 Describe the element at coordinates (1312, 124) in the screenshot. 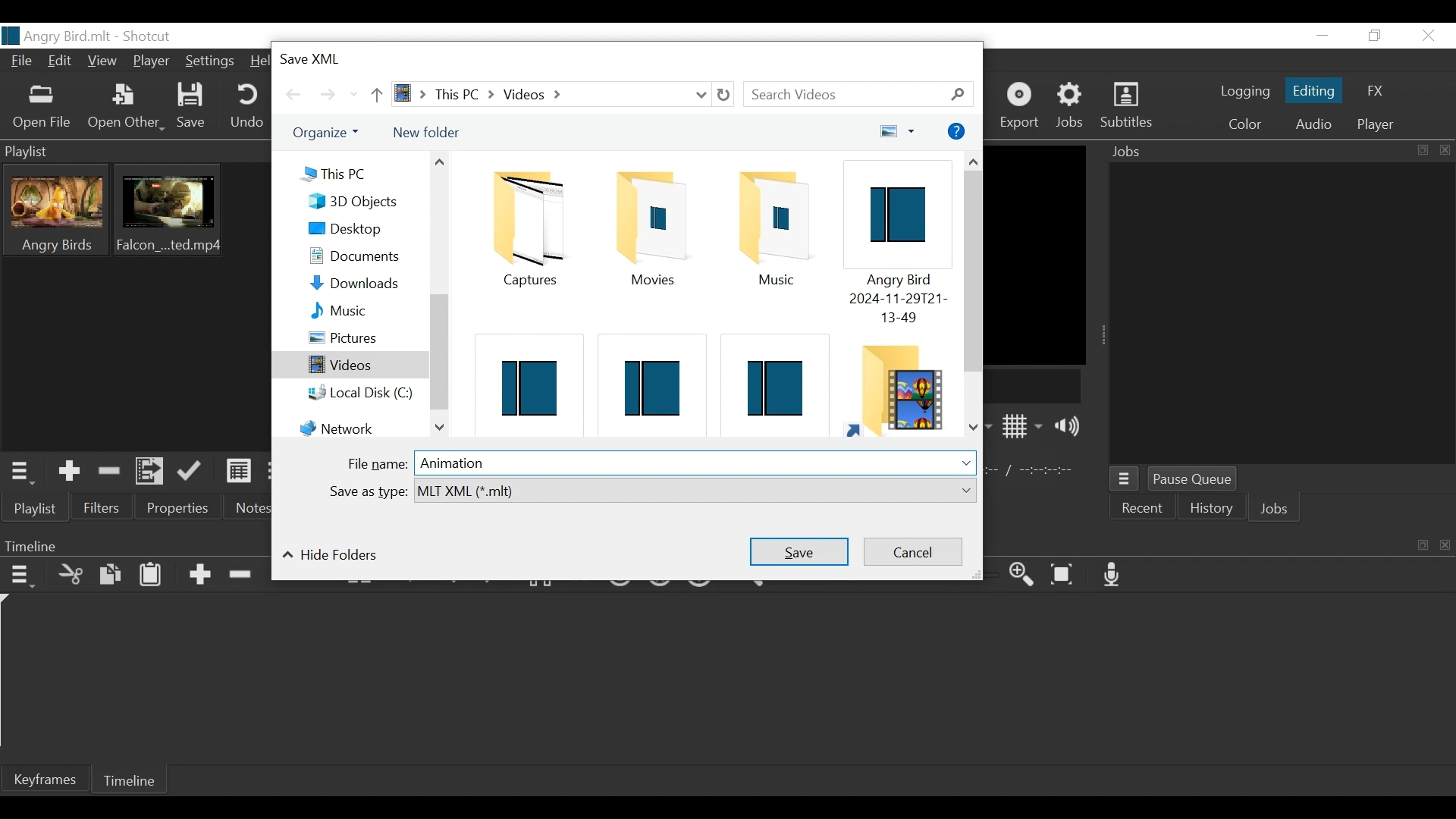

I see `Audio` at that location.